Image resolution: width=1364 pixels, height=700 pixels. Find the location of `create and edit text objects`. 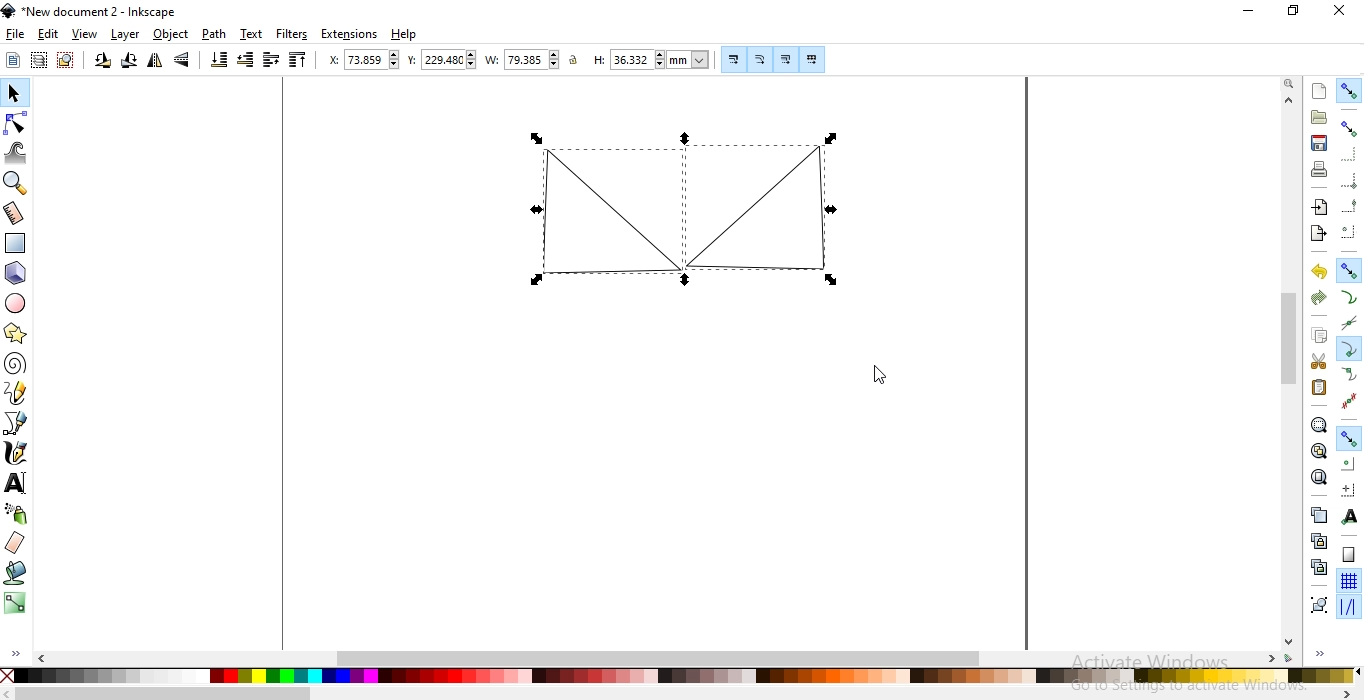

create and edit text objects is located at coordinates (18, 484).